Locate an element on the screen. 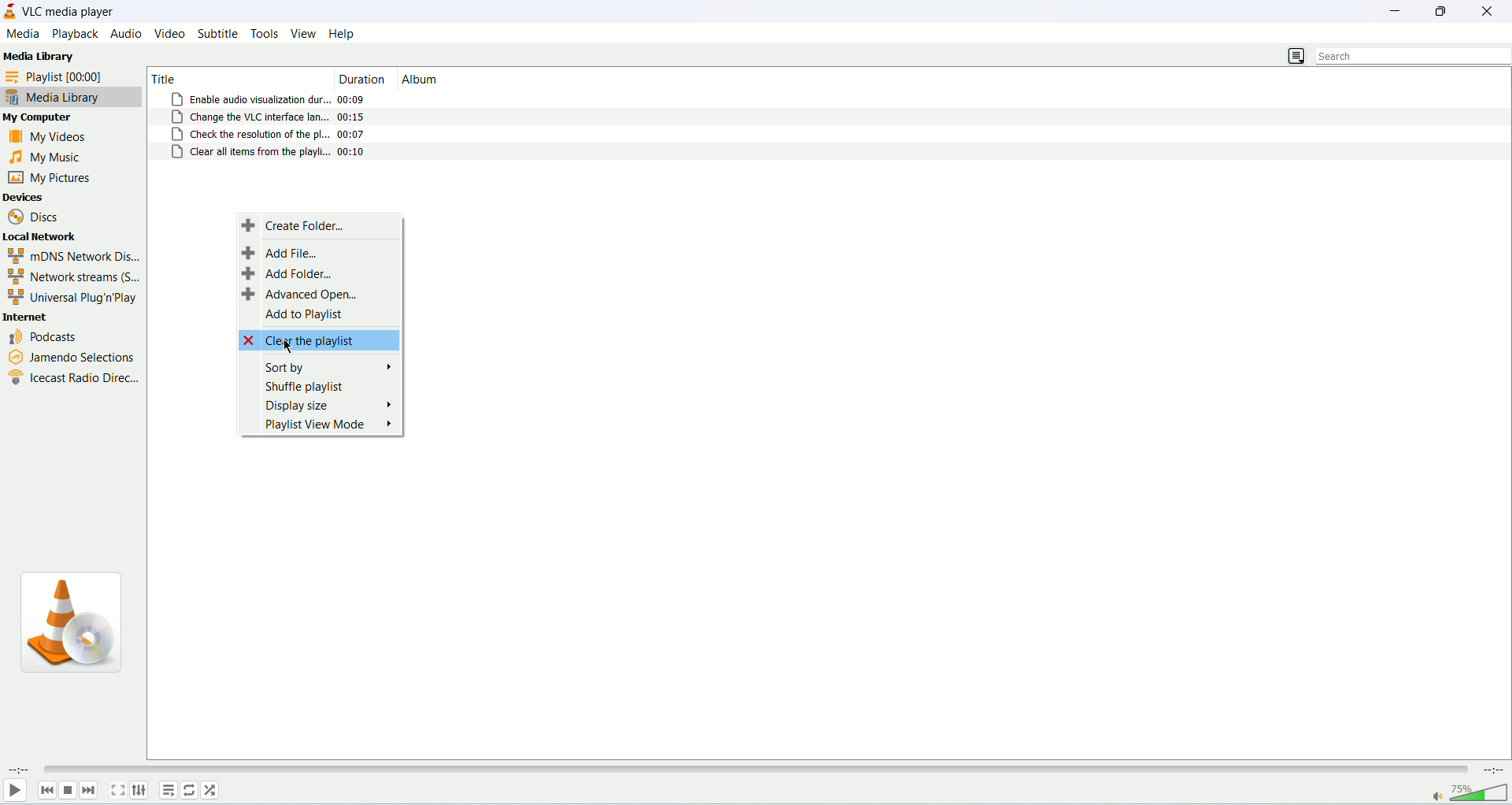 The width and height of the screenshot is (1512, 805). played time is located at coordinates (16, 770).